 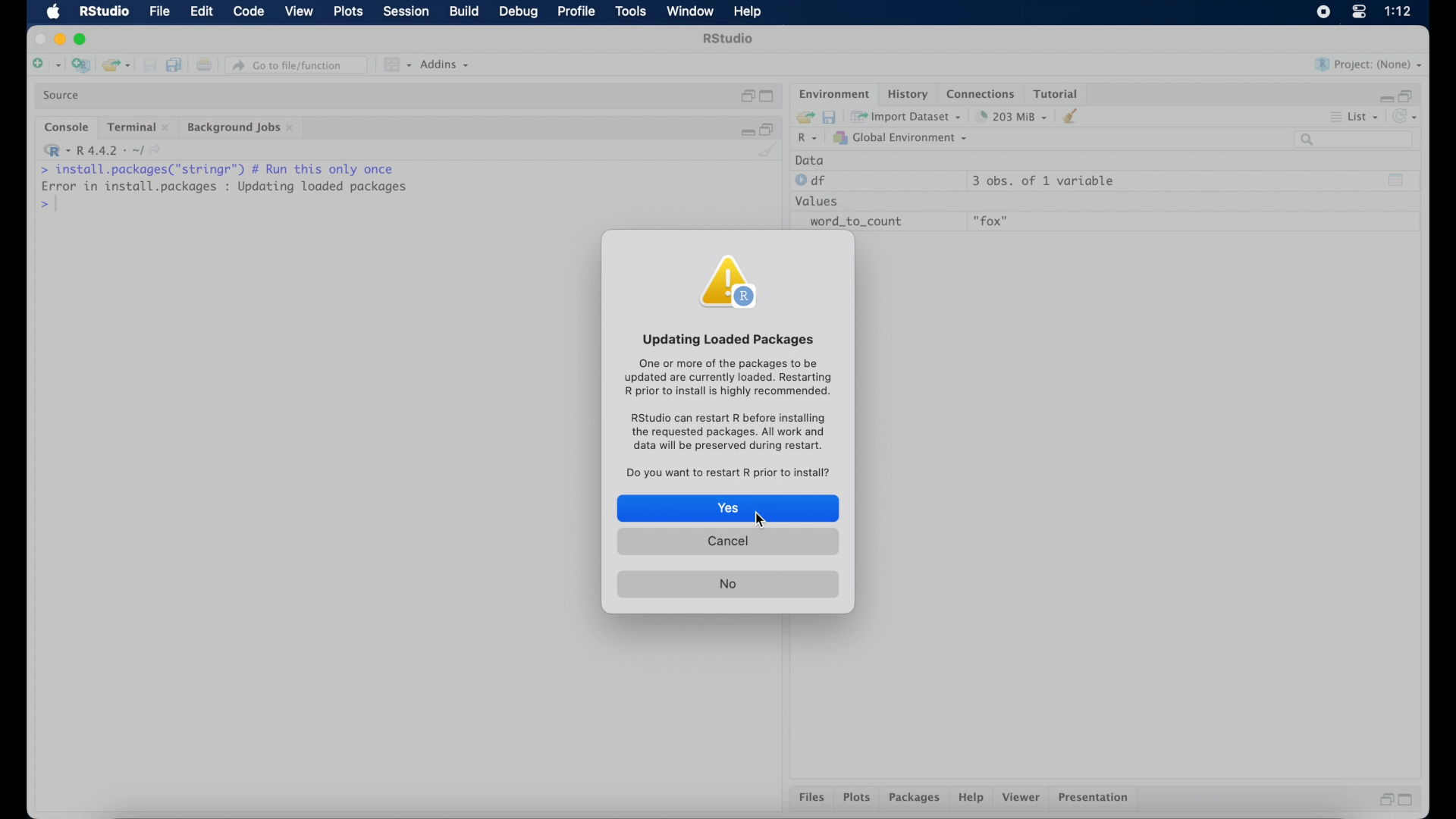 What do you see at coordinates (1323, 13) in the screenshot?
I see `screen recorder` at bounding box center [1323, 13].